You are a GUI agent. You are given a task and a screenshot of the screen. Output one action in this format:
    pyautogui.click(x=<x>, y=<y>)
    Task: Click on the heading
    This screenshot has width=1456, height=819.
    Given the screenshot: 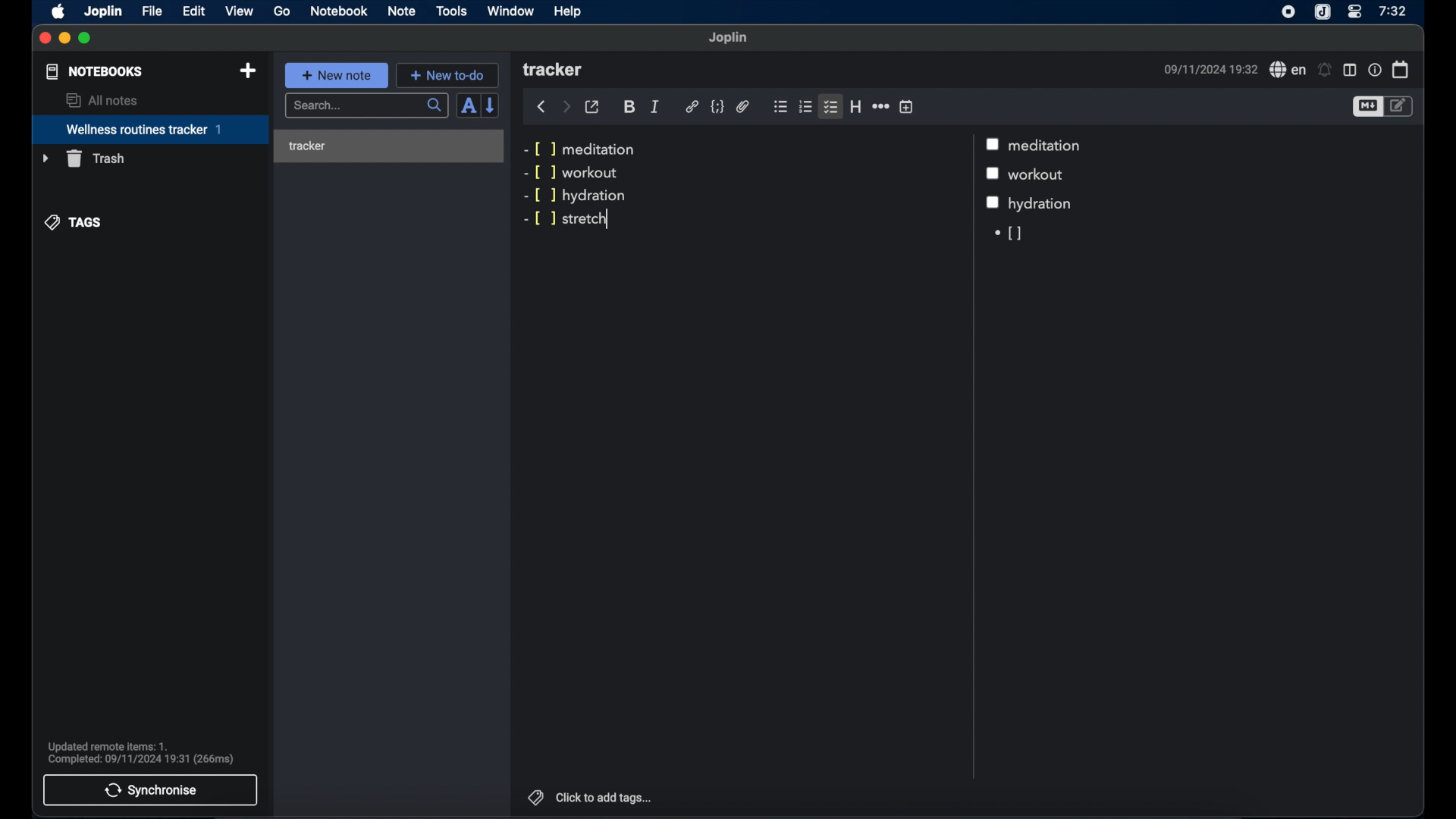 What is the action you would take?
    pyautogui.click(x=855, y=106)
    